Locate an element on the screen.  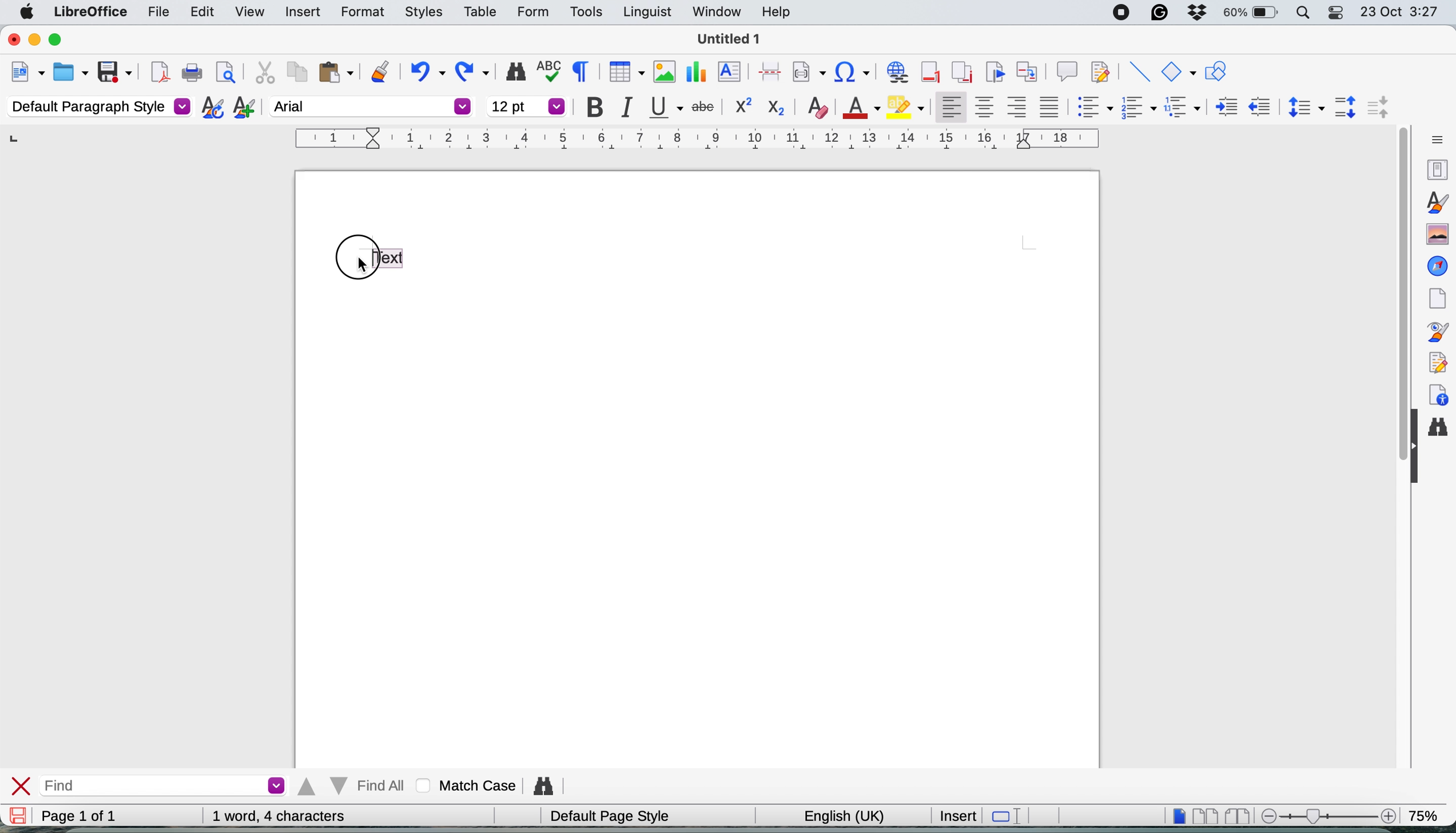
save is located at coordinates (19, 815).